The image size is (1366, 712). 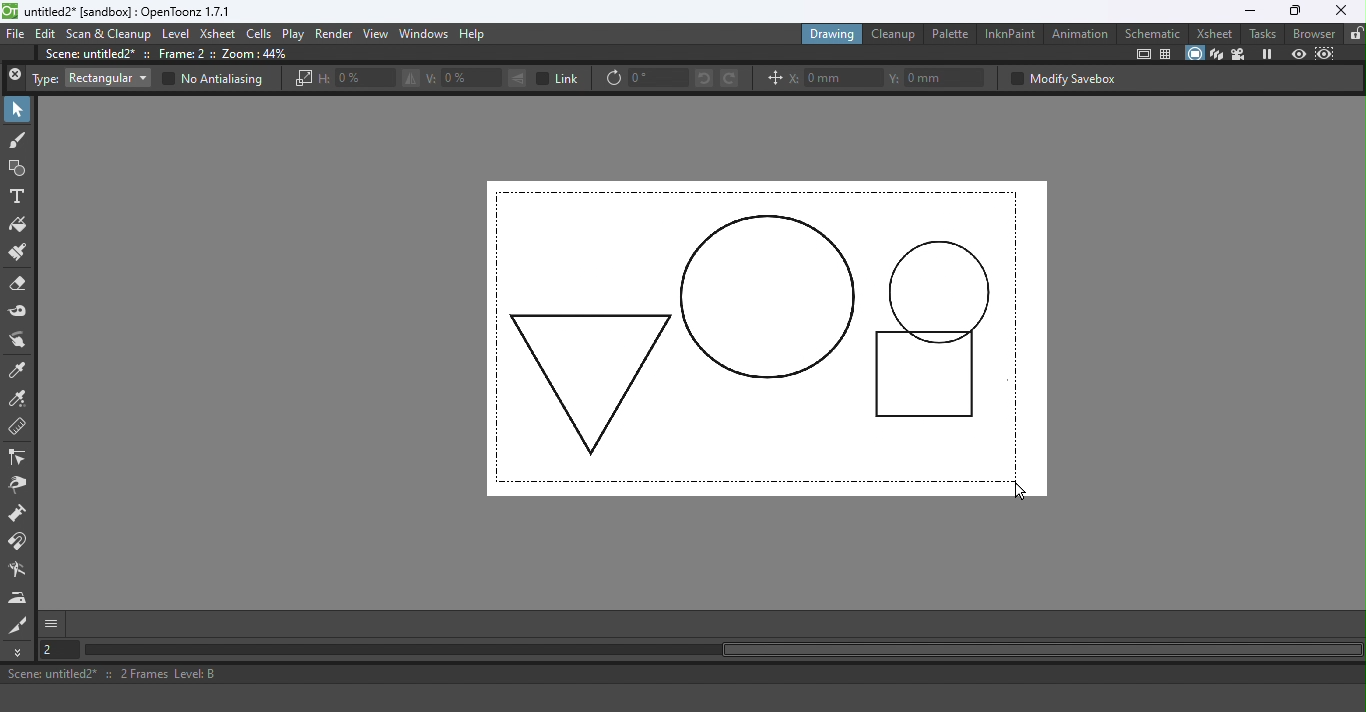 What do you see at coordinates (177, 55) in the screenshot?
I see `Scene: untitle2* :: Frame: 2 :: Zoom:44%` at bounding box center [177, 55].